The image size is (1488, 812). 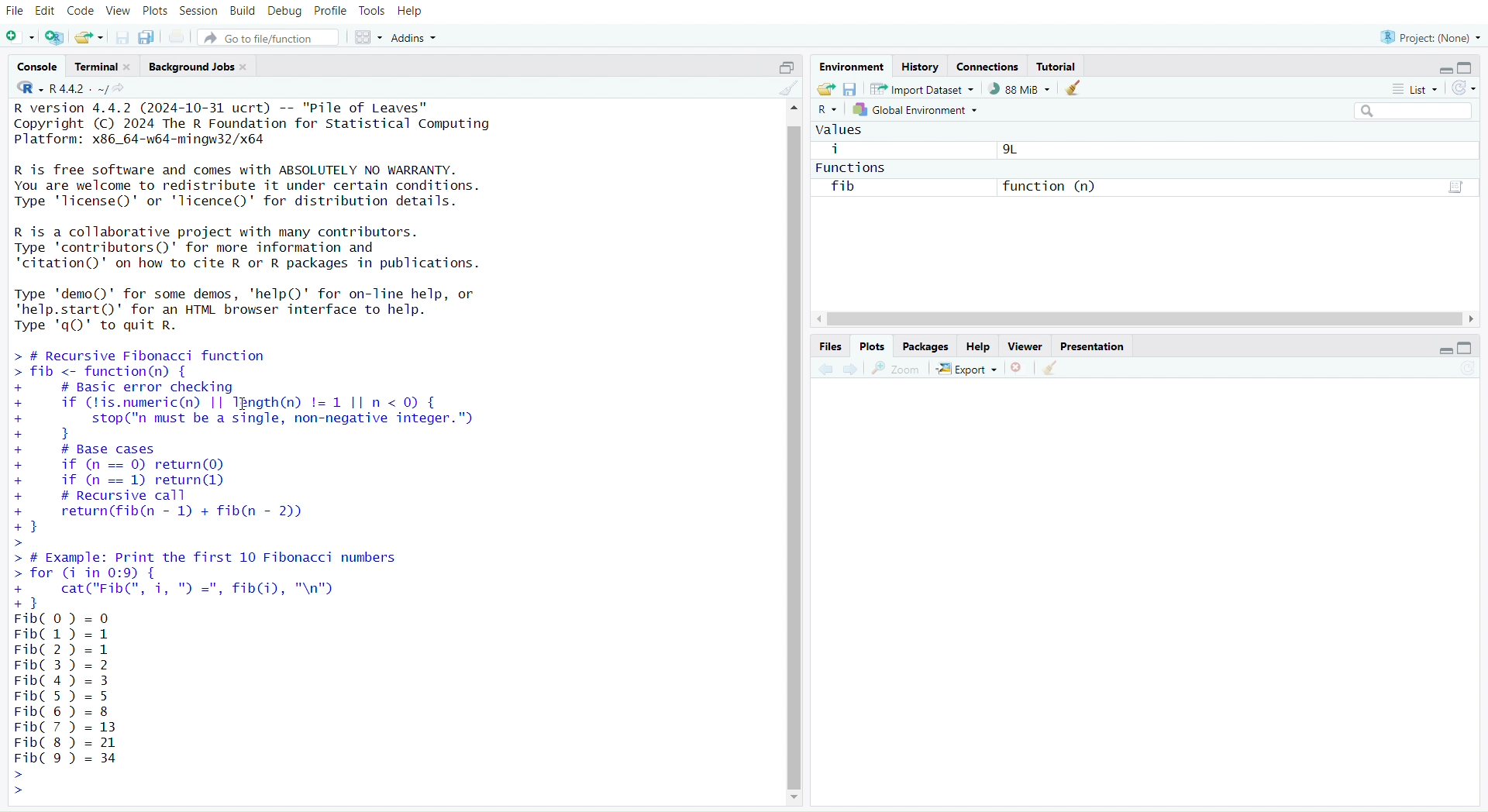 I want to click on values, so click(x=842, y=129).